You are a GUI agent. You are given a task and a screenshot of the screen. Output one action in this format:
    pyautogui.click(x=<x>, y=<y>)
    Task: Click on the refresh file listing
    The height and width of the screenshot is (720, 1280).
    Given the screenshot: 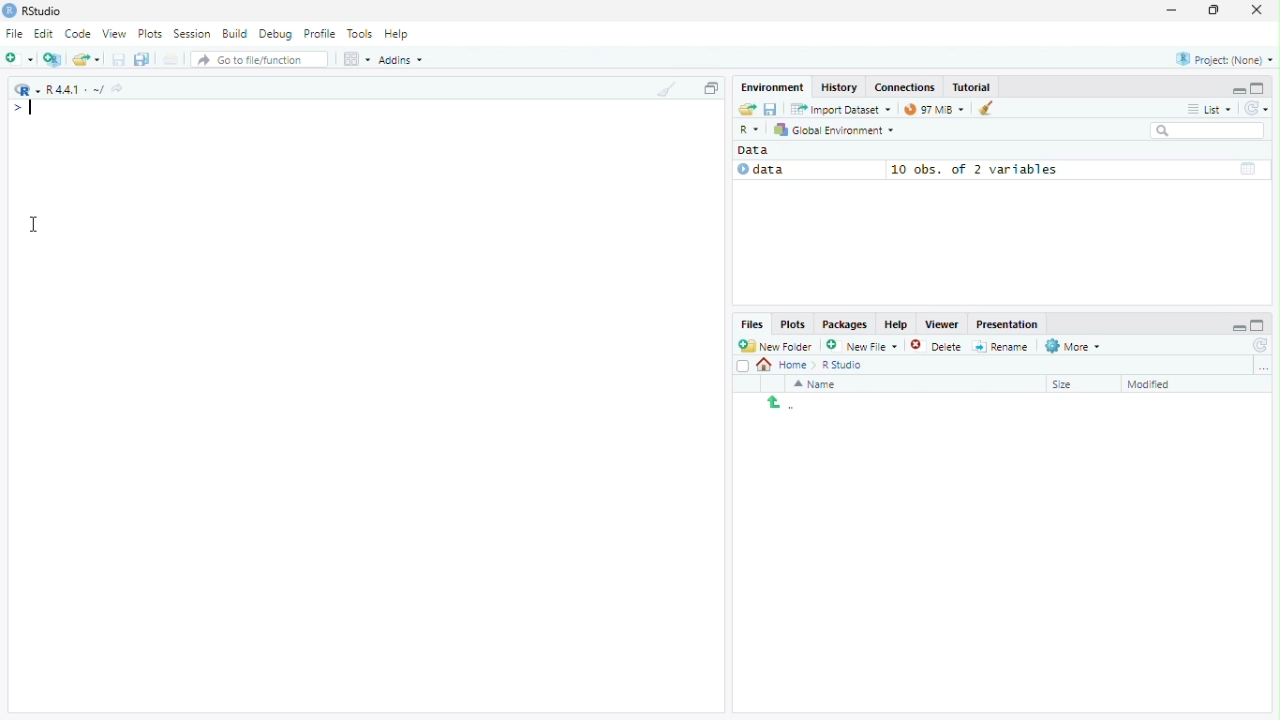 What is the action you would take?
    pyautogui.click(x=1261, y=346)
    